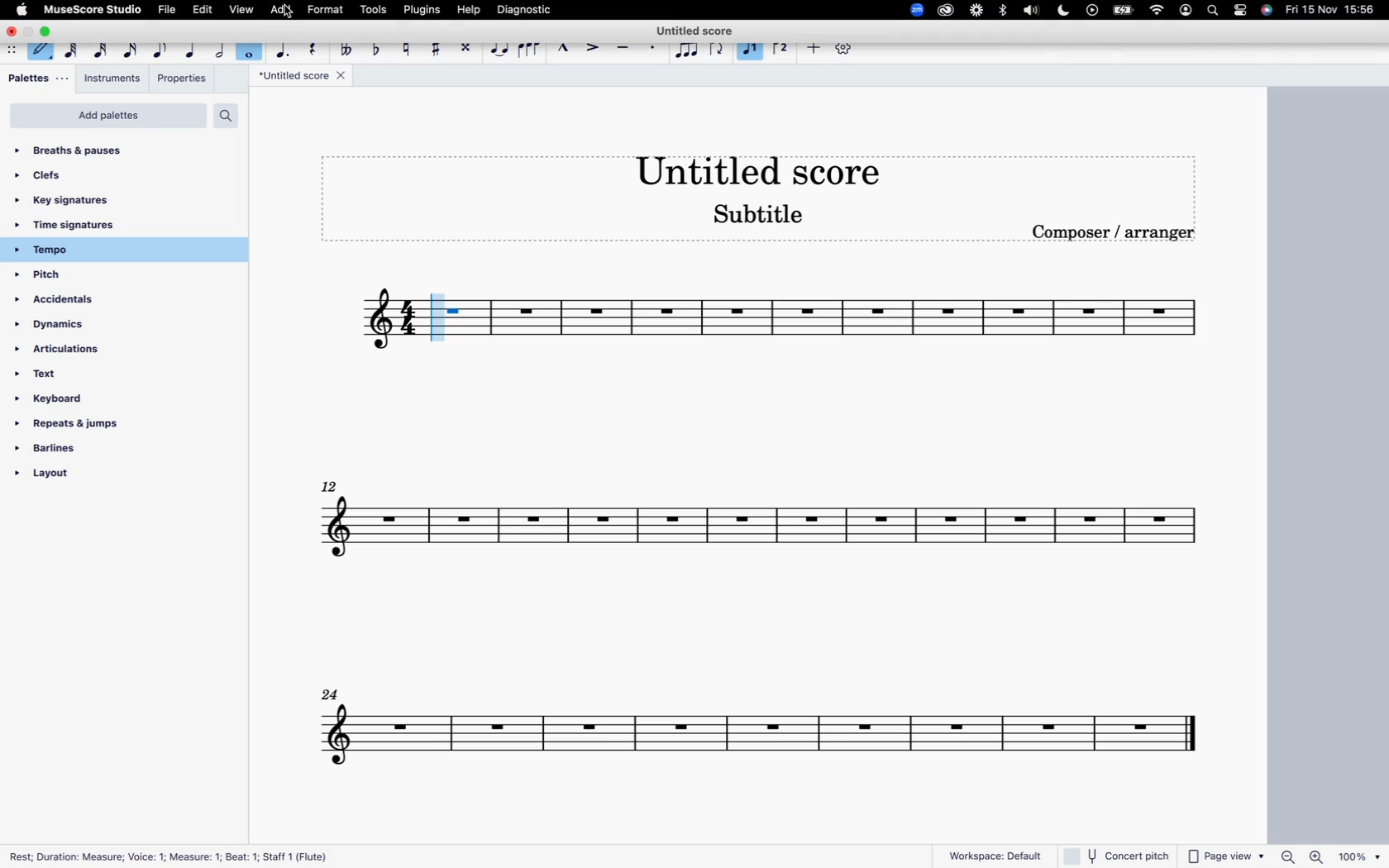 This screenshot has height=868, width=1389. Describe the element at coordinates (231, 116) in the screenshot. I see `search` at that location.